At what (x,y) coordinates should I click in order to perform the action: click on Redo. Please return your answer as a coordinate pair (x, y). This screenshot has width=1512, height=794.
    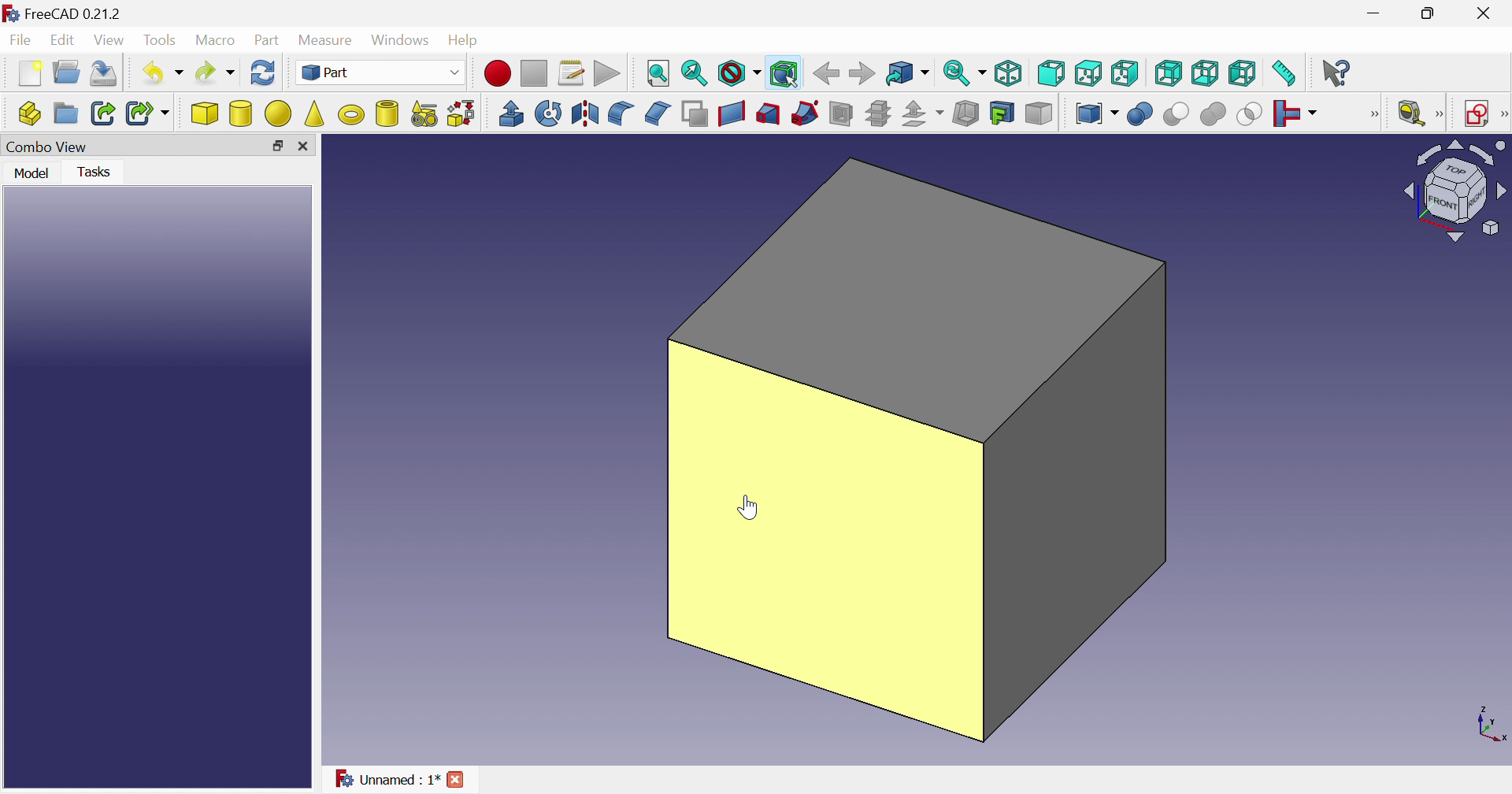
    Looking at the image, I should click on (217, 72).